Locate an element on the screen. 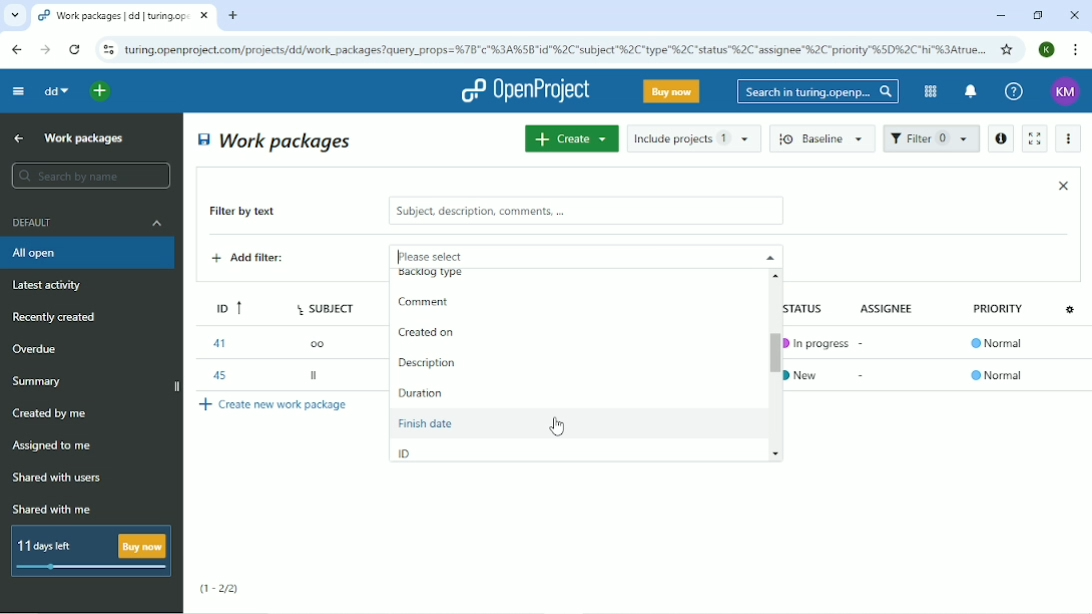 The width and height of the screenshot is (1092, 614). Summary is located at coordinates (40, 381).